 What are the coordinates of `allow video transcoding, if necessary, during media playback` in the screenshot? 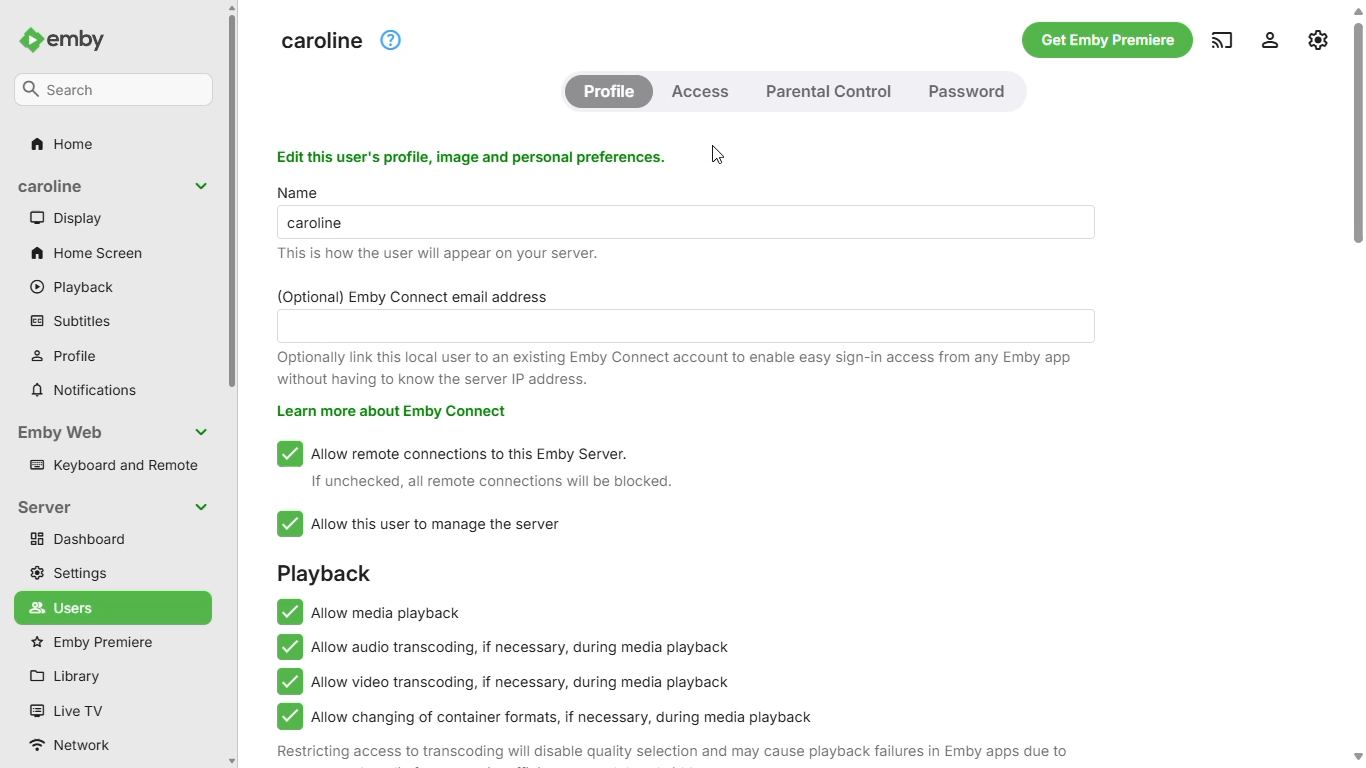 It's located at (503, 682).